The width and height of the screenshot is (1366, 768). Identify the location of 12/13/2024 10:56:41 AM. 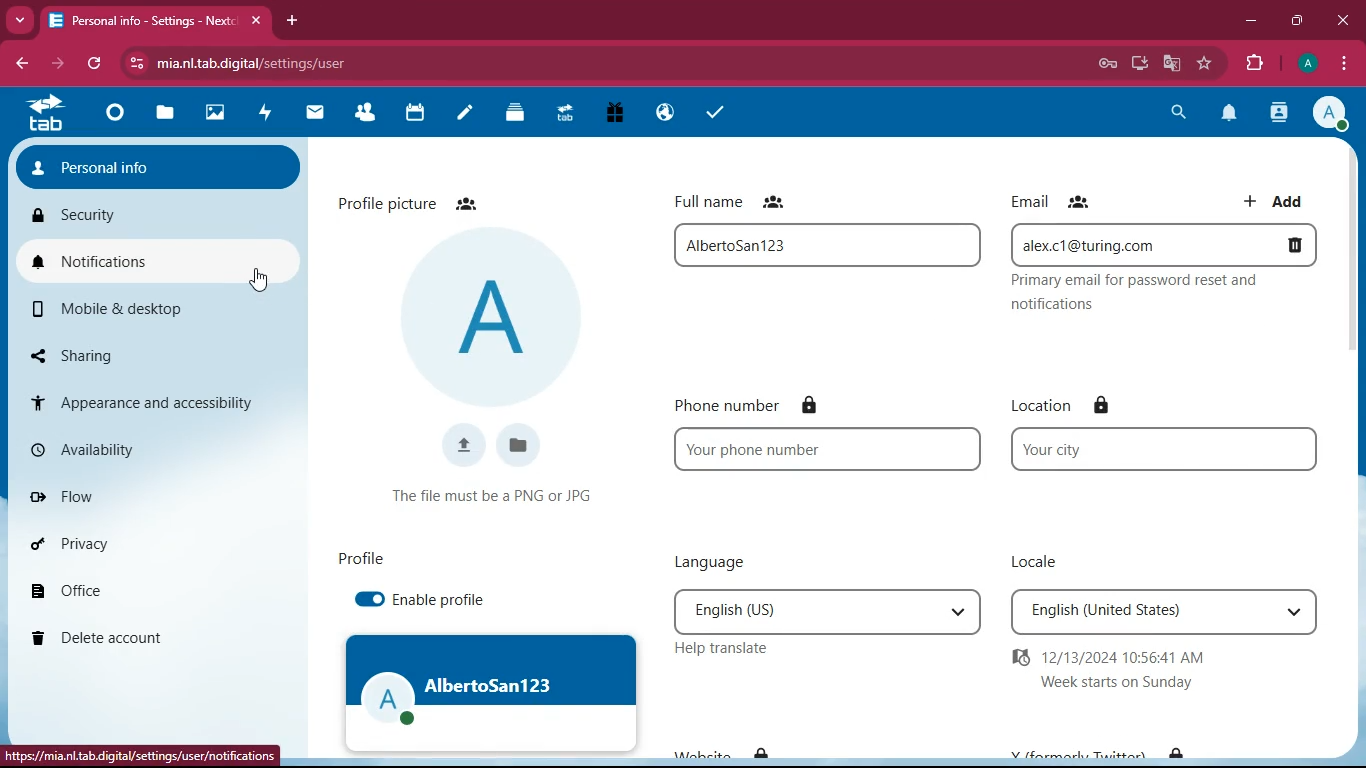
(1108, 657).